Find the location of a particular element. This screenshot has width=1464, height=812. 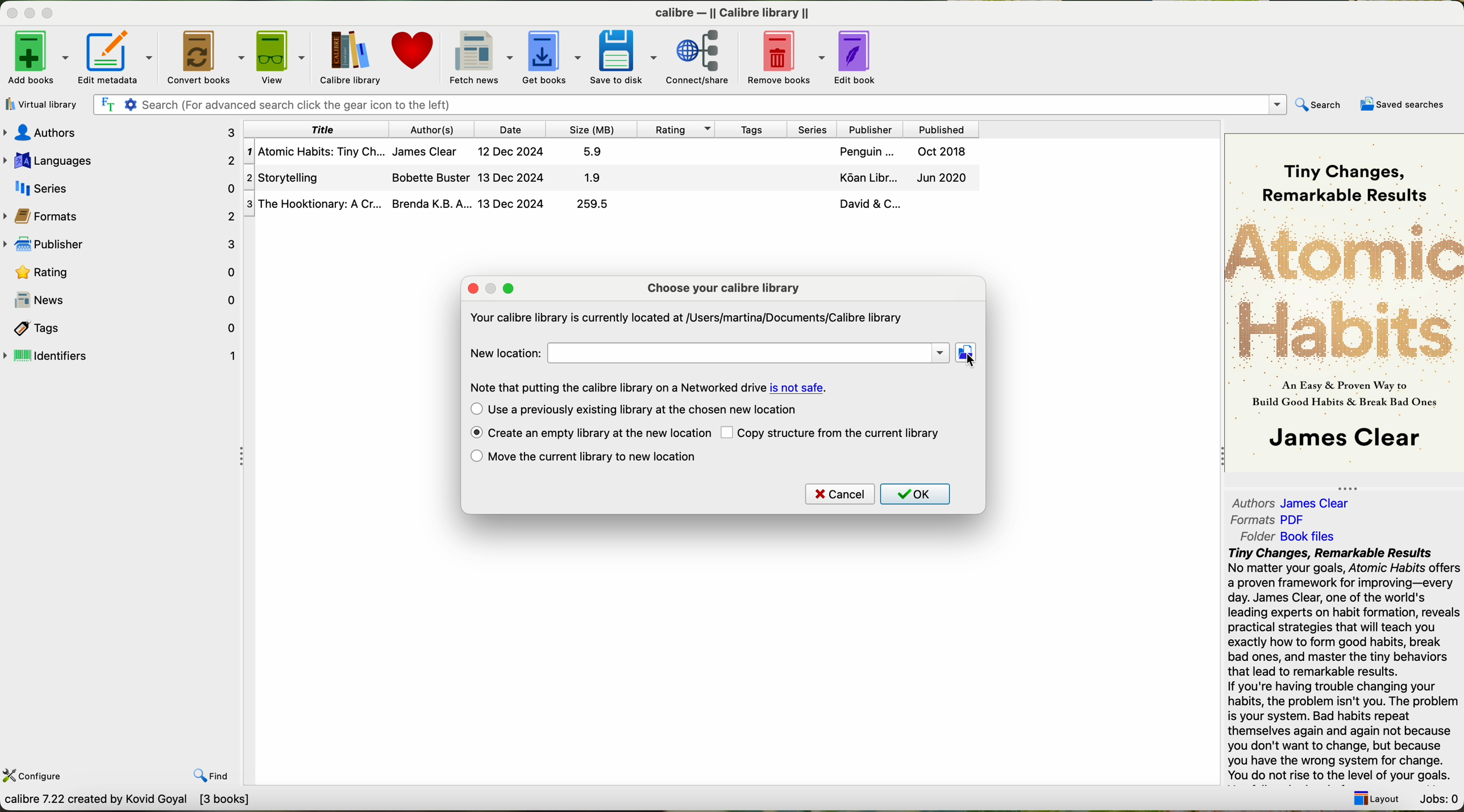

new location is located at coordinates (505, 352).